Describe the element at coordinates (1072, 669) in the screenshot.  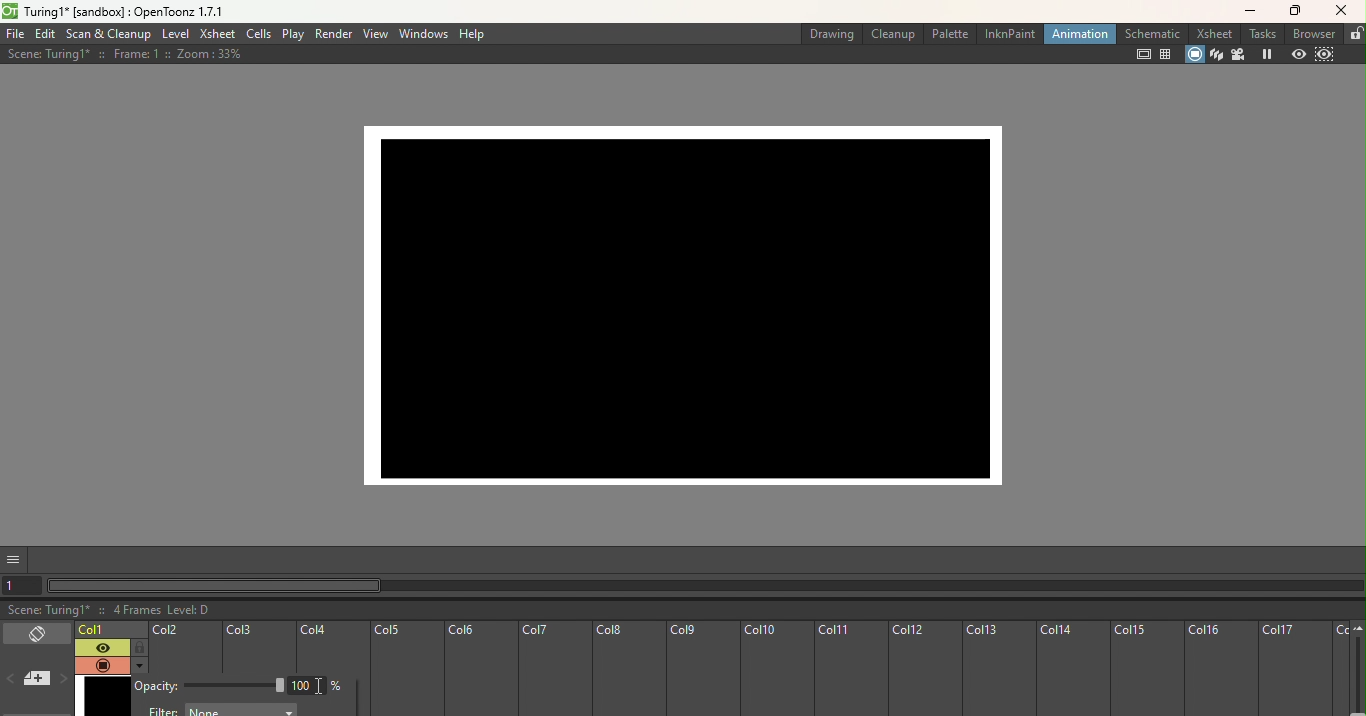
I see `Col14` at that location.